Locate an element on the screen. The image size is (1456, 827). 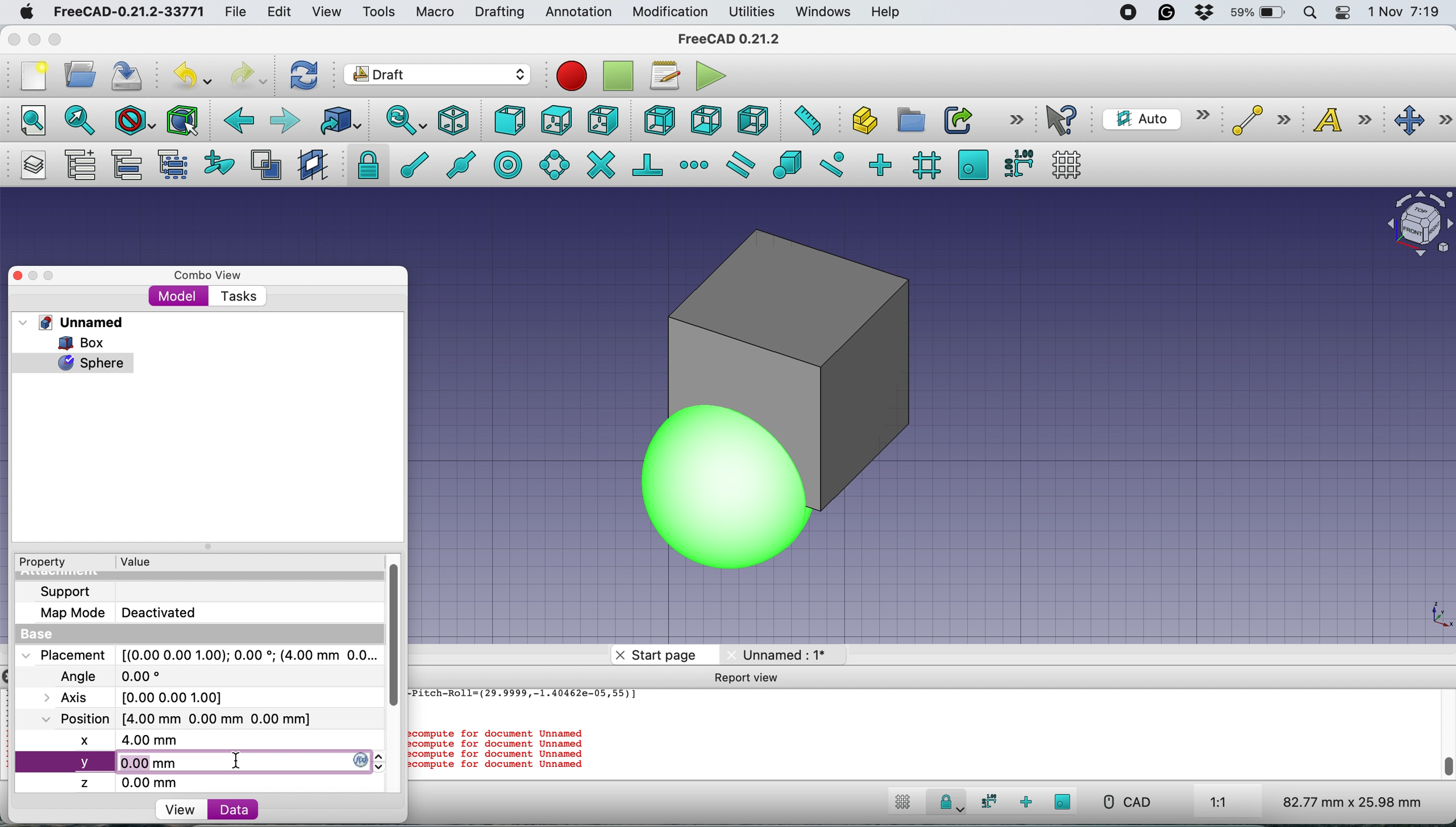
snap extension is located at coordinates (696, 165).